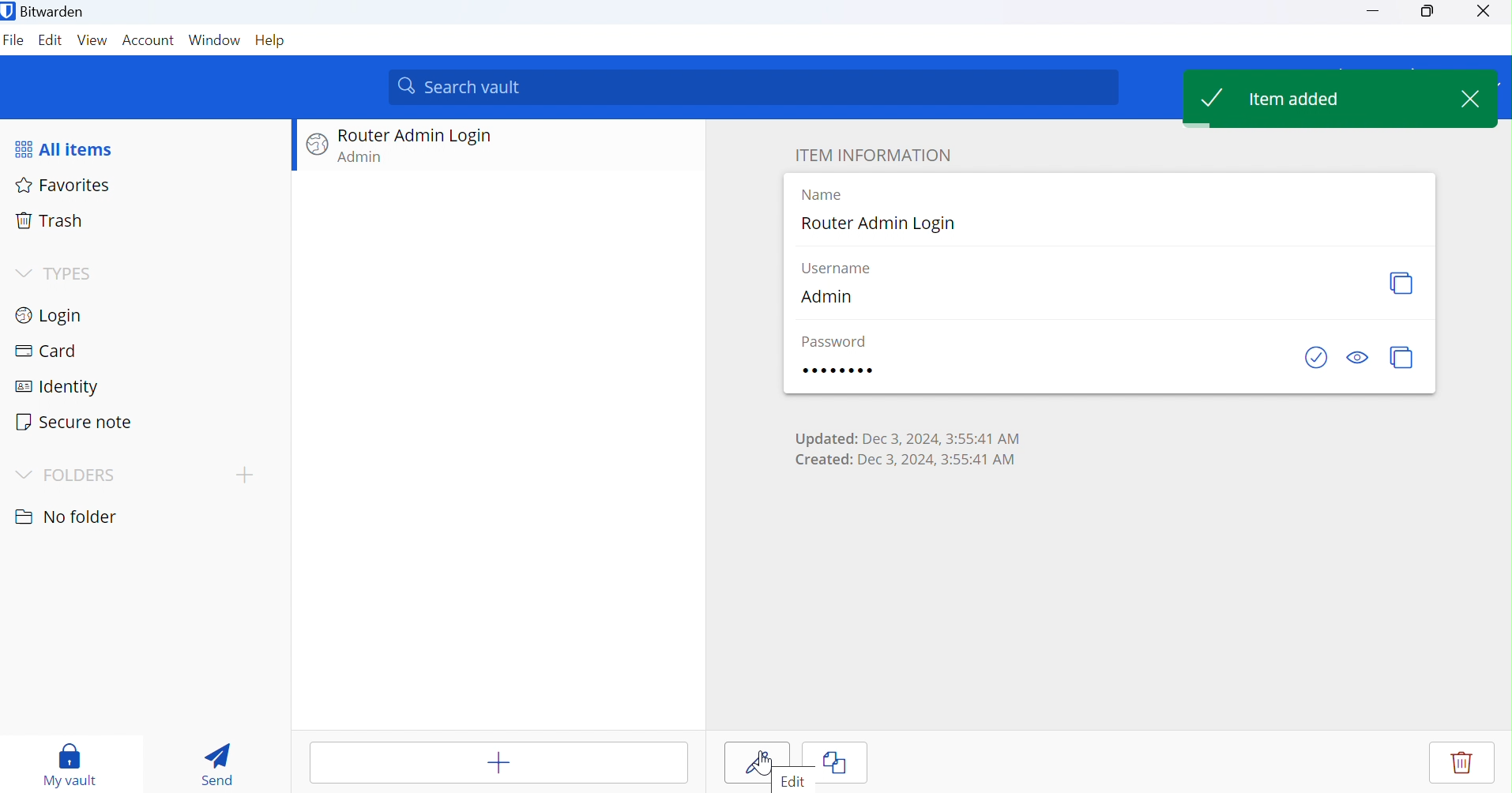 This screenshot has height=793, width=1512. What do you see at coordinates (74, 147) in the screenshot?
I see `All items` at bounding box center [74, 147].